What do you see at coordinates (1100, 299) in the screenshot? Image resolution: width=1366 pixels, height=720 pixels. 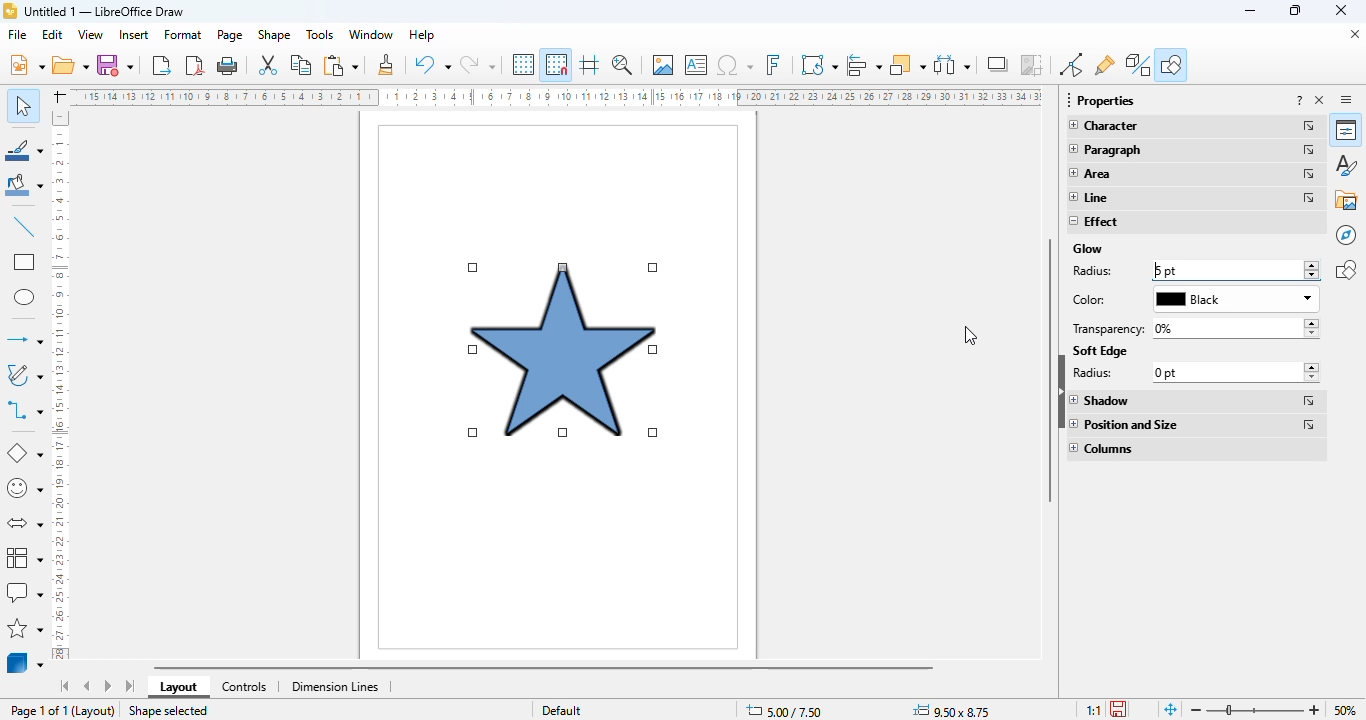 I see `color` at bounding box center [1100, 299].